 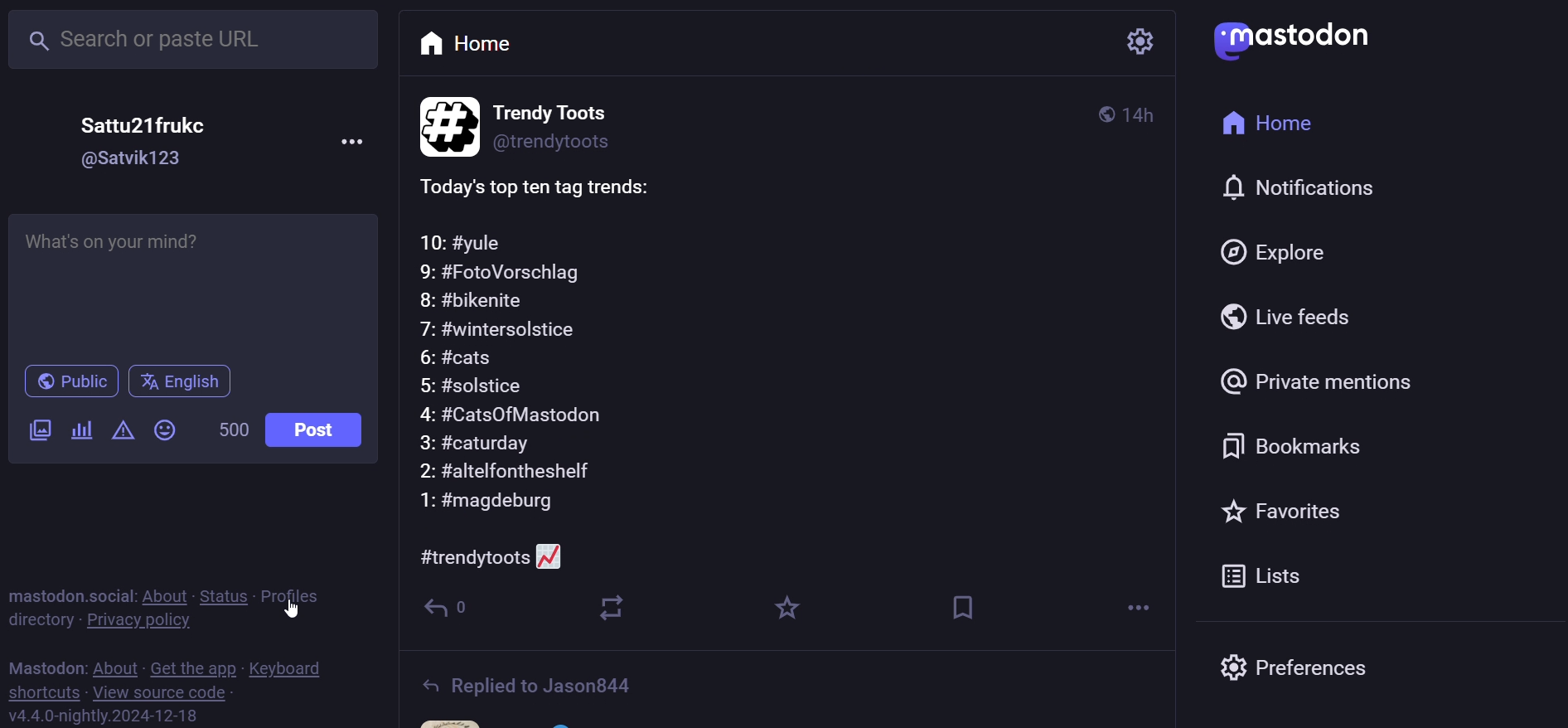 What do you see at coordinates (222, 596) in the screenshot?
I see `status` at bounding box center [222, 596].